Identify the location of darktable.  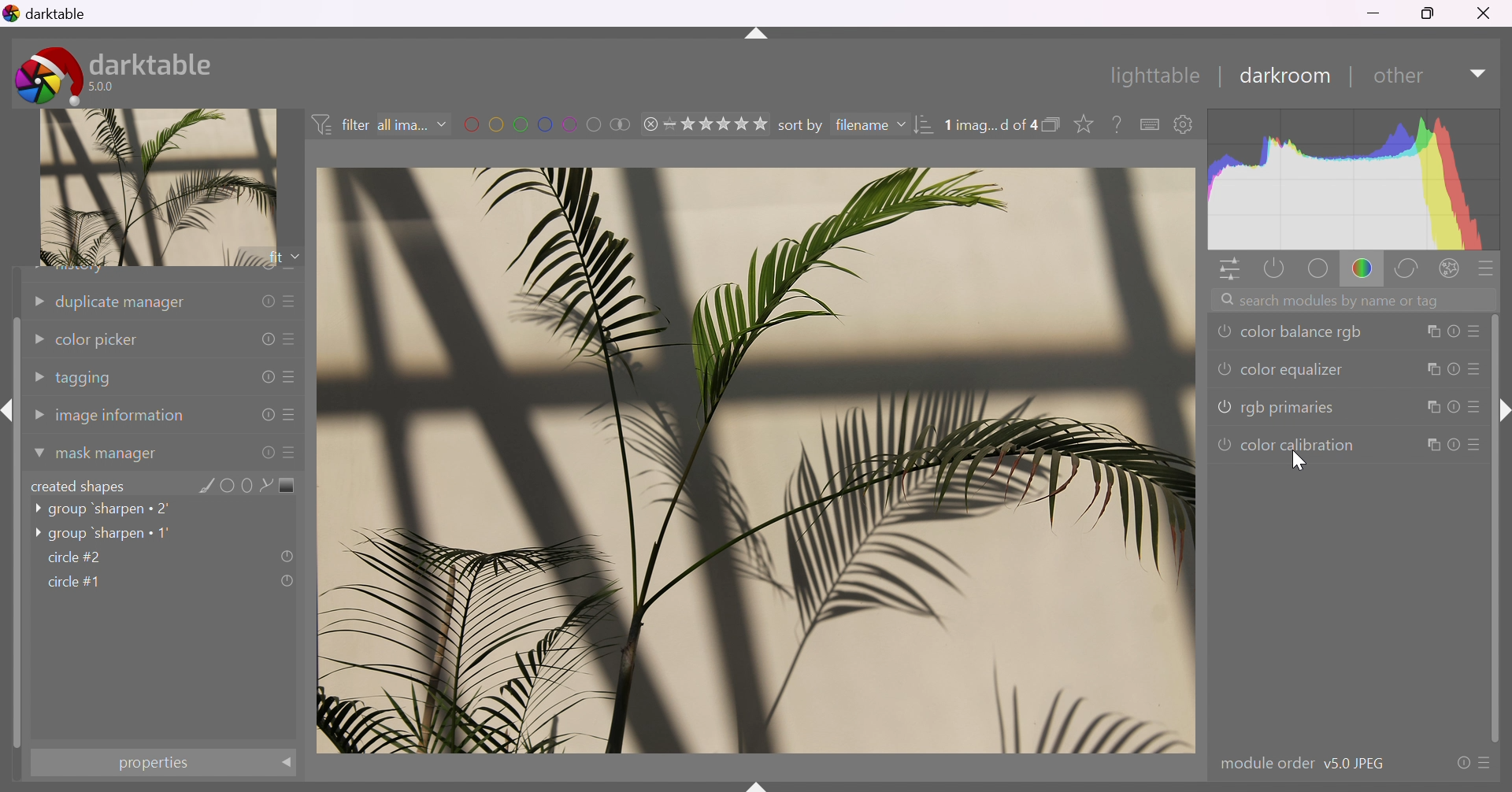
(42, 12).